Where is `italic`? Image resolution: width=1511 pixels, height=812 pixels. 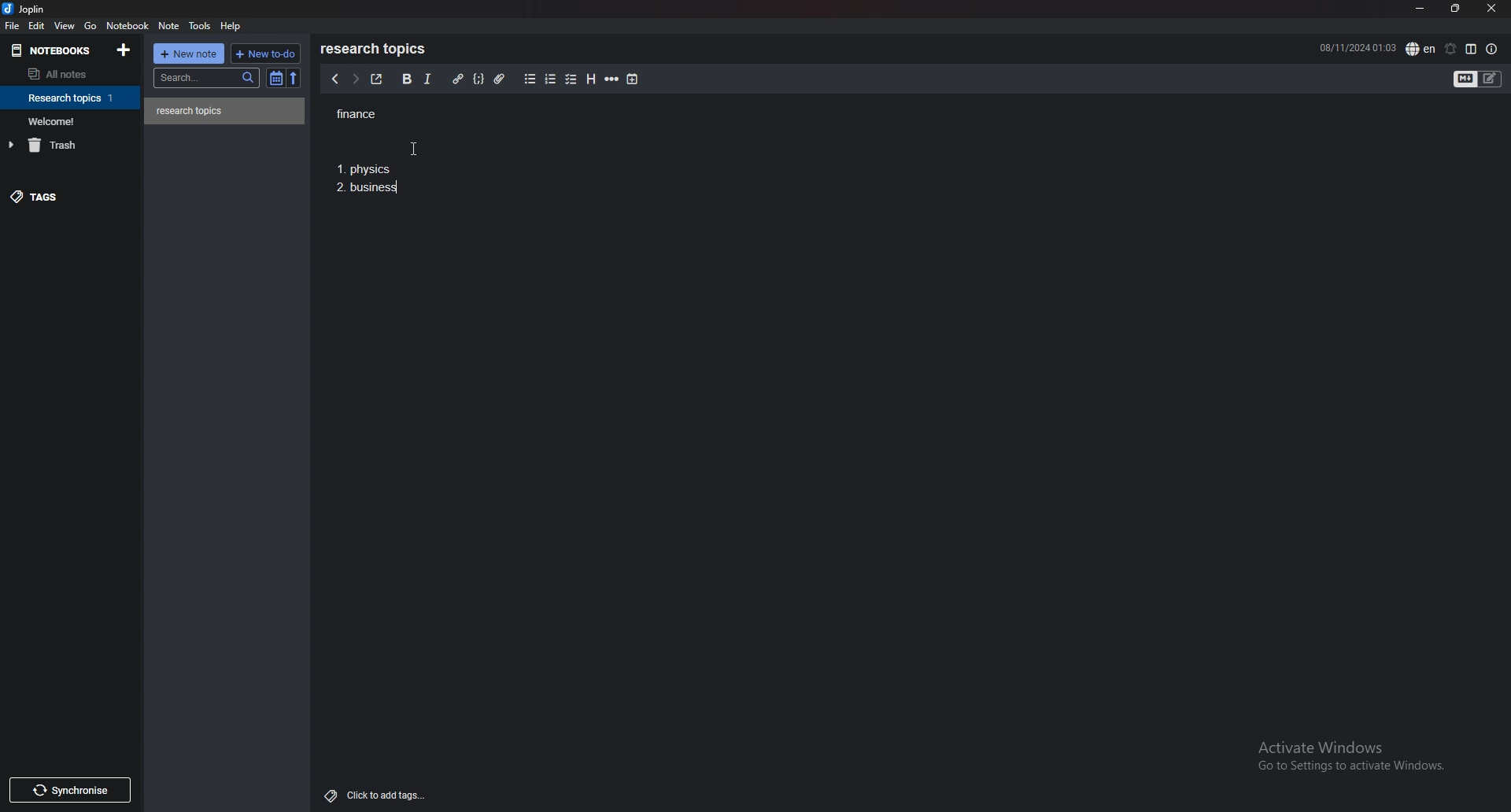
italic is located at coordinates (427, 79).